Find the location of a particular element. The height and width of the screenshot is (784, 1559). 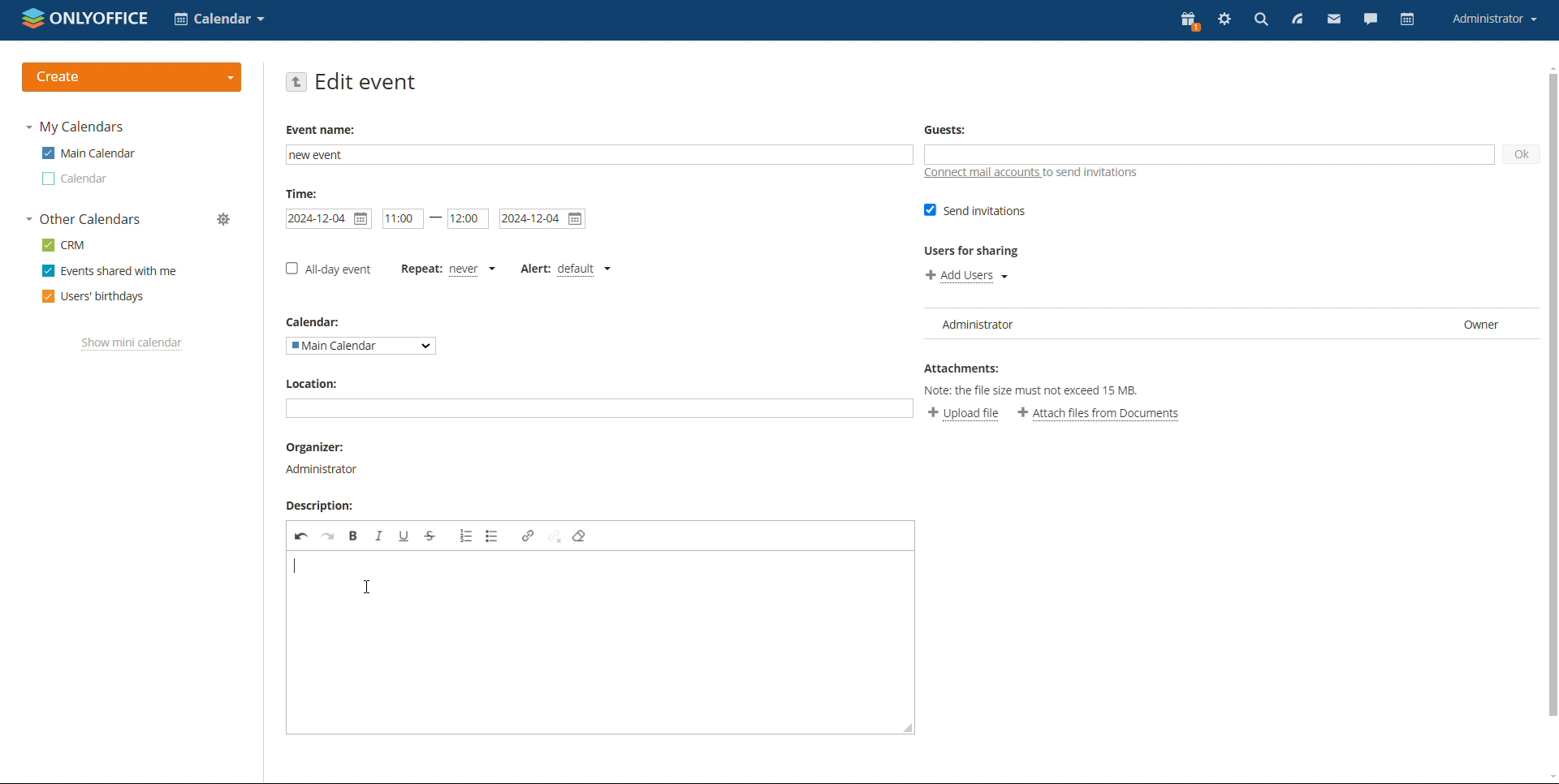

start date is located at coordinates (328, 219).